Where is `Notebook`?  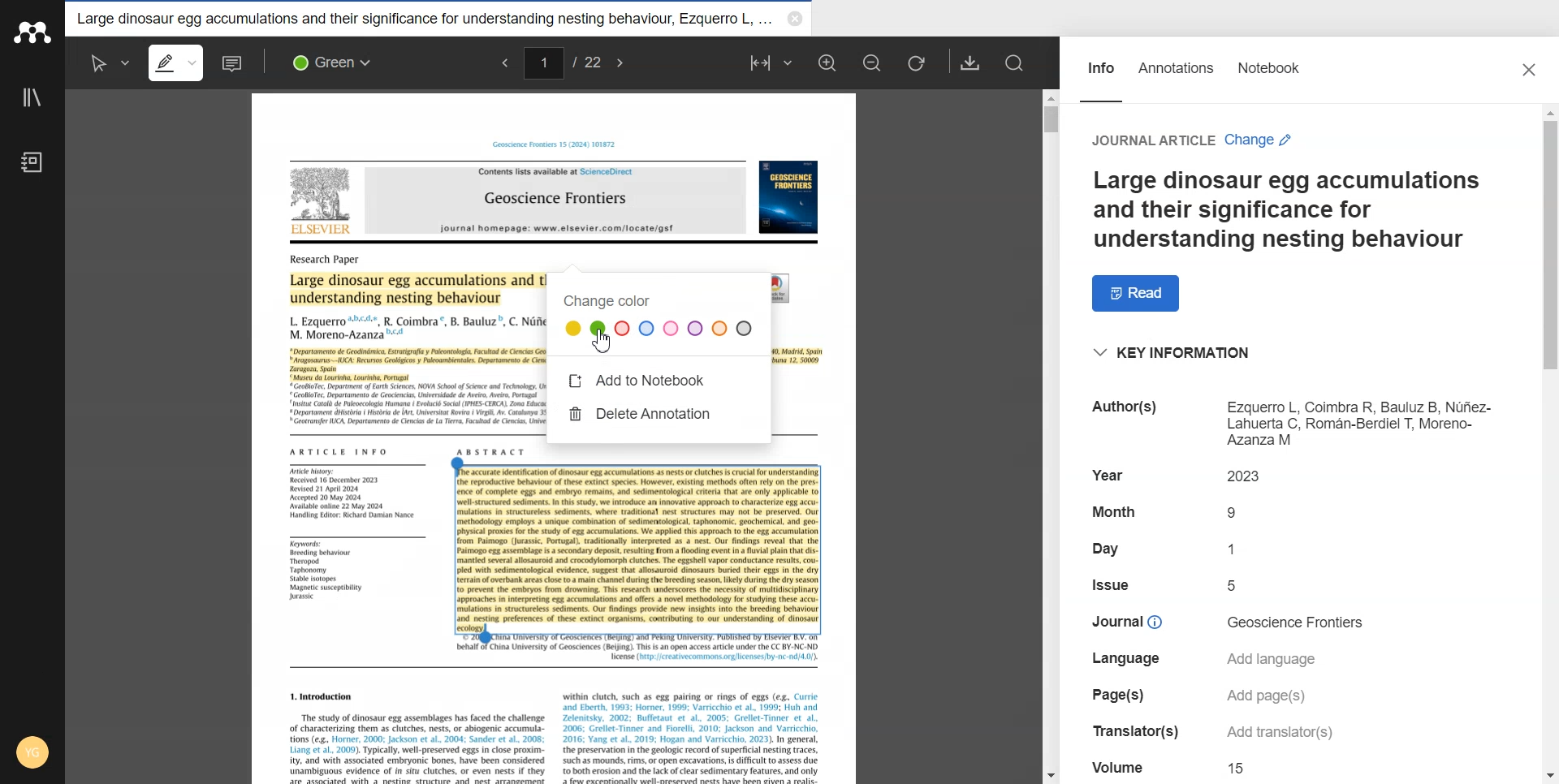 Notebook is located at coordinates (1269, 77).